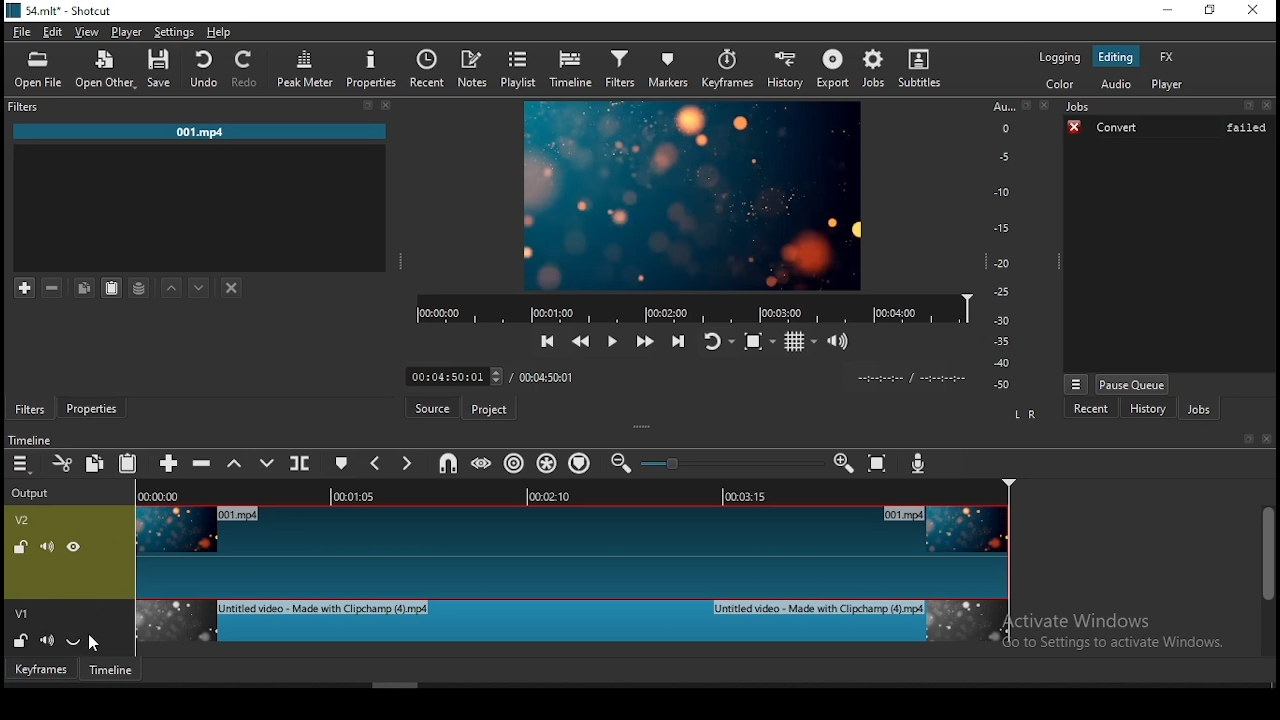 The height and width of the screenshot is (720, 1280). Describe the element at coordinates (23, 467) in the screenshot. I see `timeline menu` at that location.